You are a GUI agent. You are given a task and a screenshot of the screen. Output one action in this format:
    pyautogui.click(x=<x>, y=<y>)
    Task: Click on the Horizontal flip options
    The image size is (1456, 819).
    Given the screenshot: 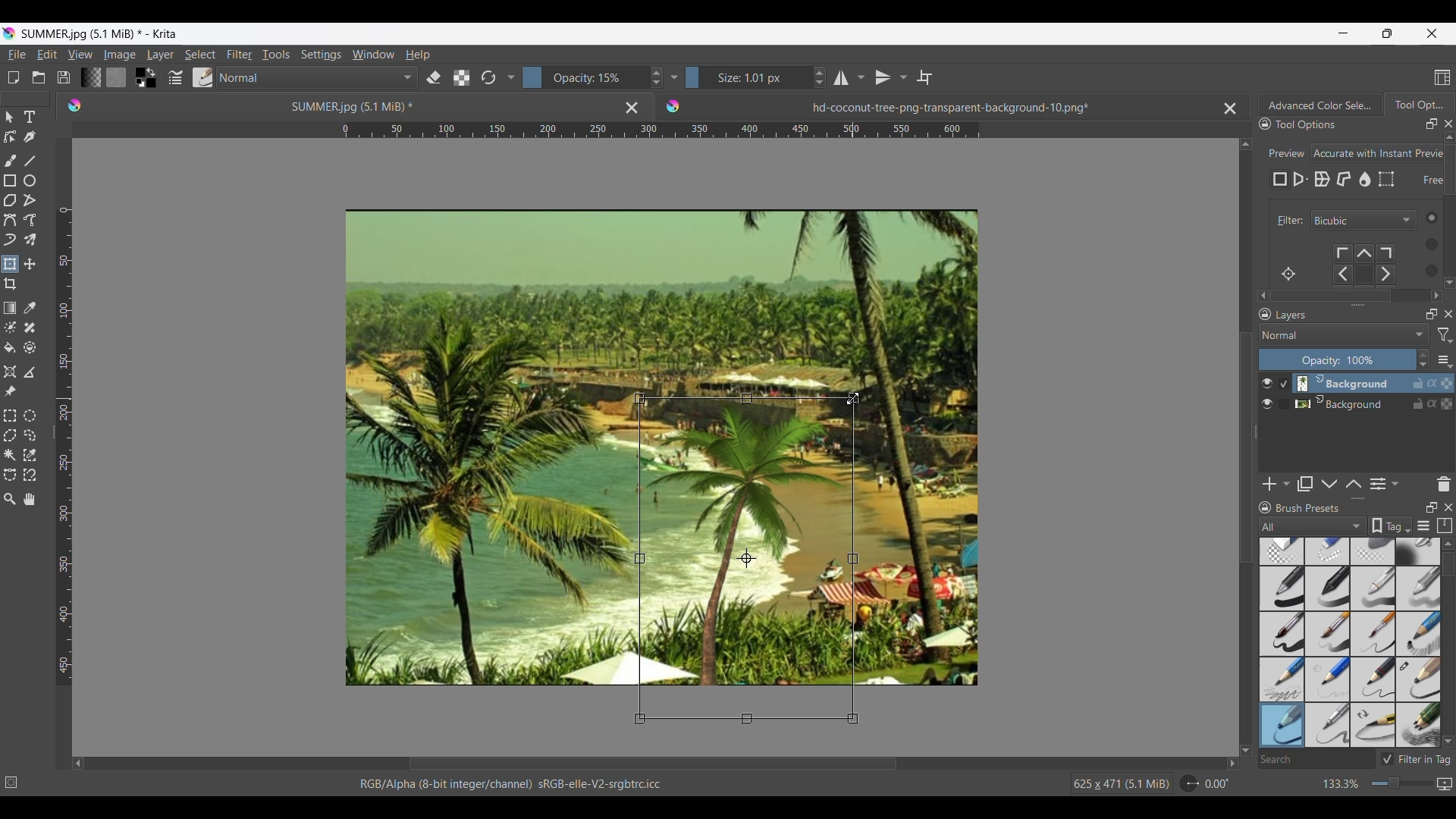 What is the action you would take?
    pyautogui.click(x=841, y=77)
    